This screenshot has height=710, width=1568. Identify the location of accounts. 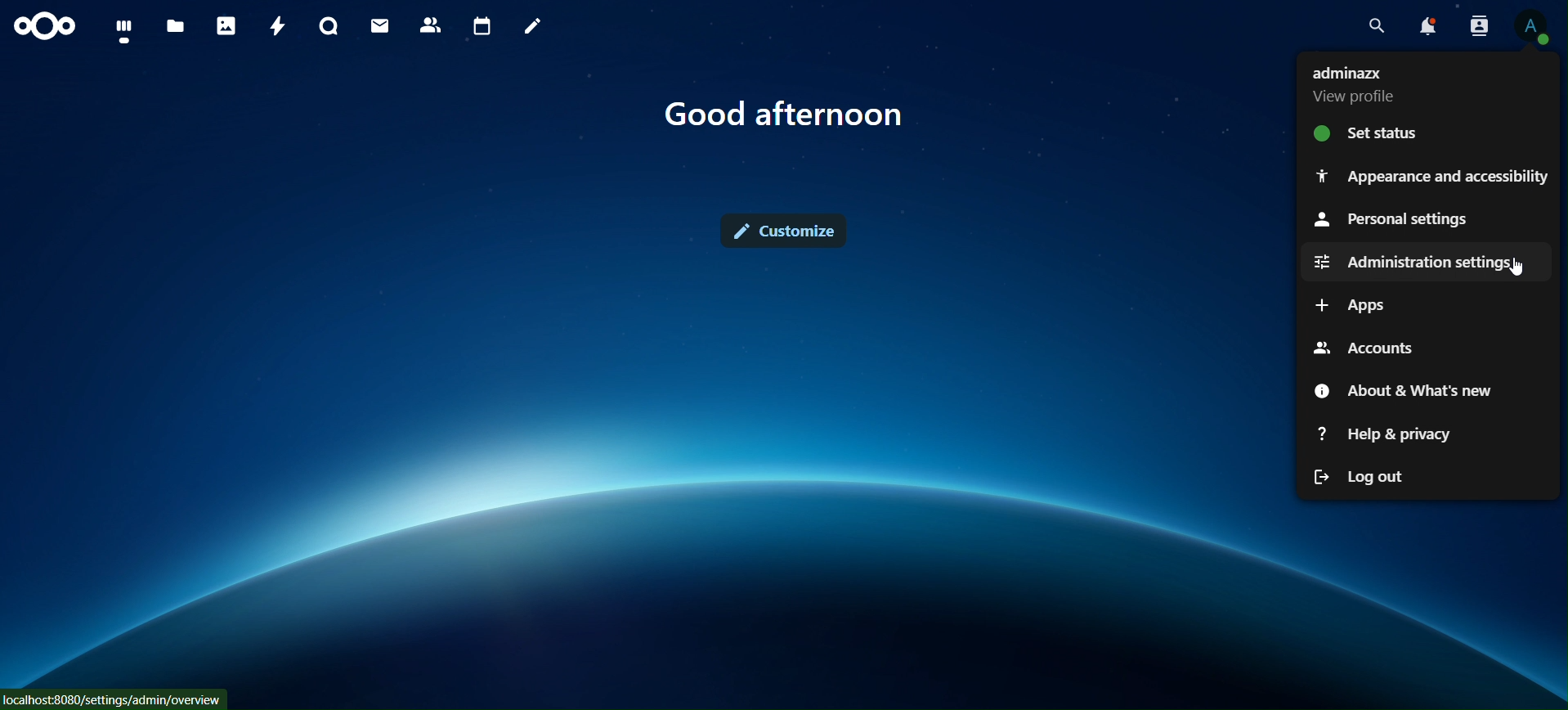
(1362, 344).